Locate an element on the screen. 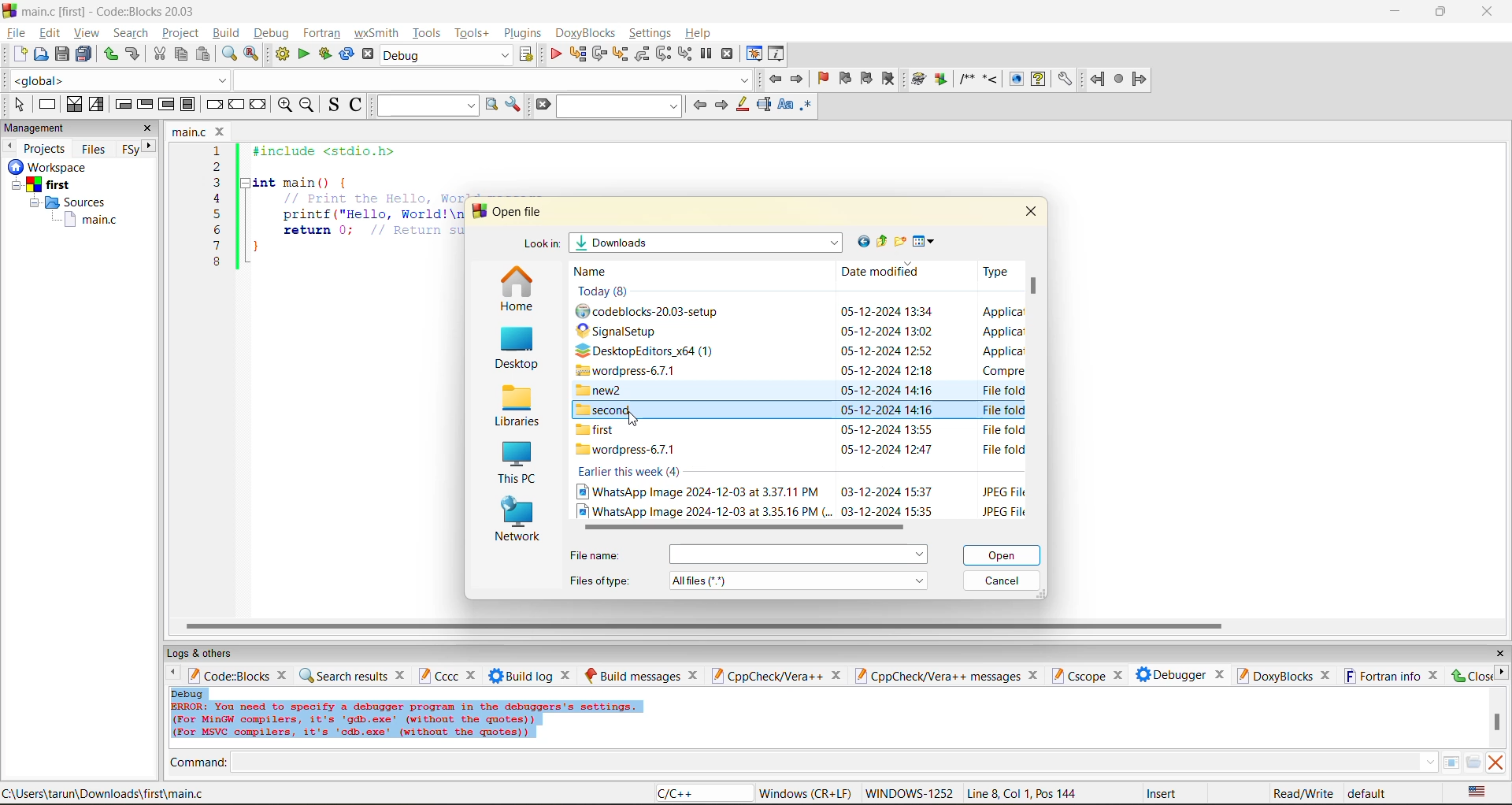 The image size is (1512, 805). next line is located at coordinates (598, 54).